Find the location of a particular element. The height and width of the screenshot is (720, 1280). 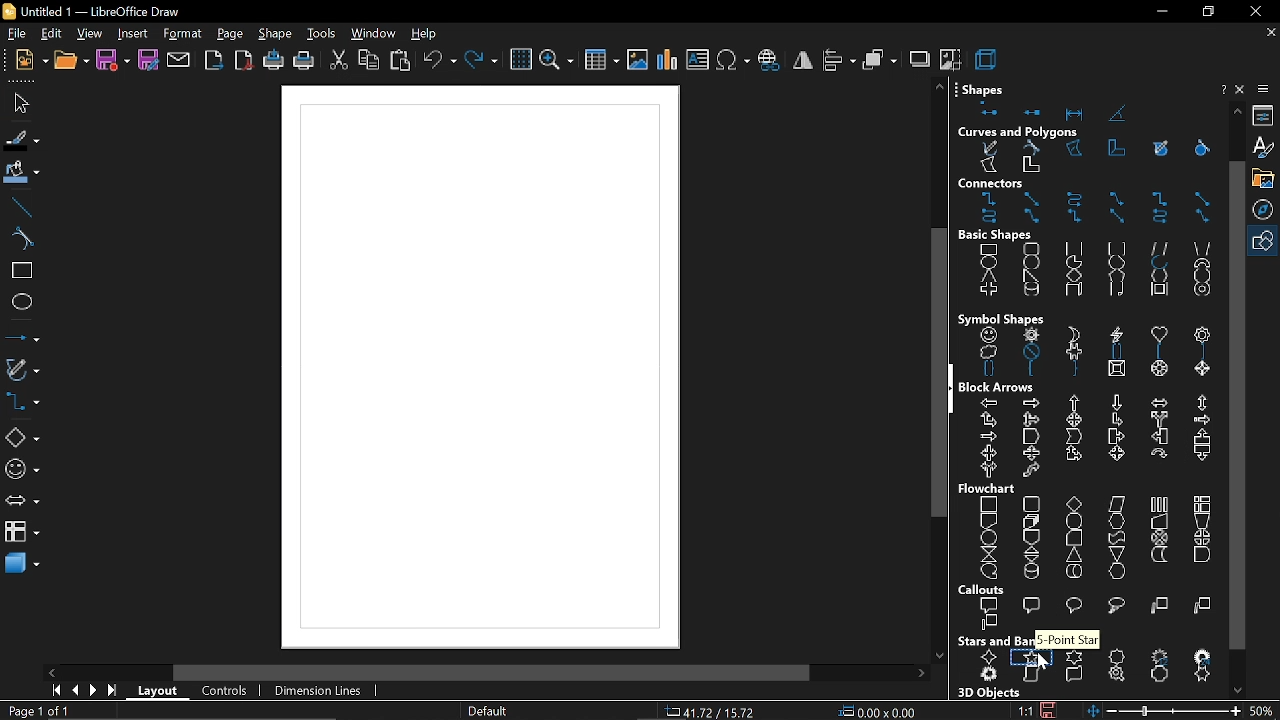

grid is located at coordinates (520, 60).